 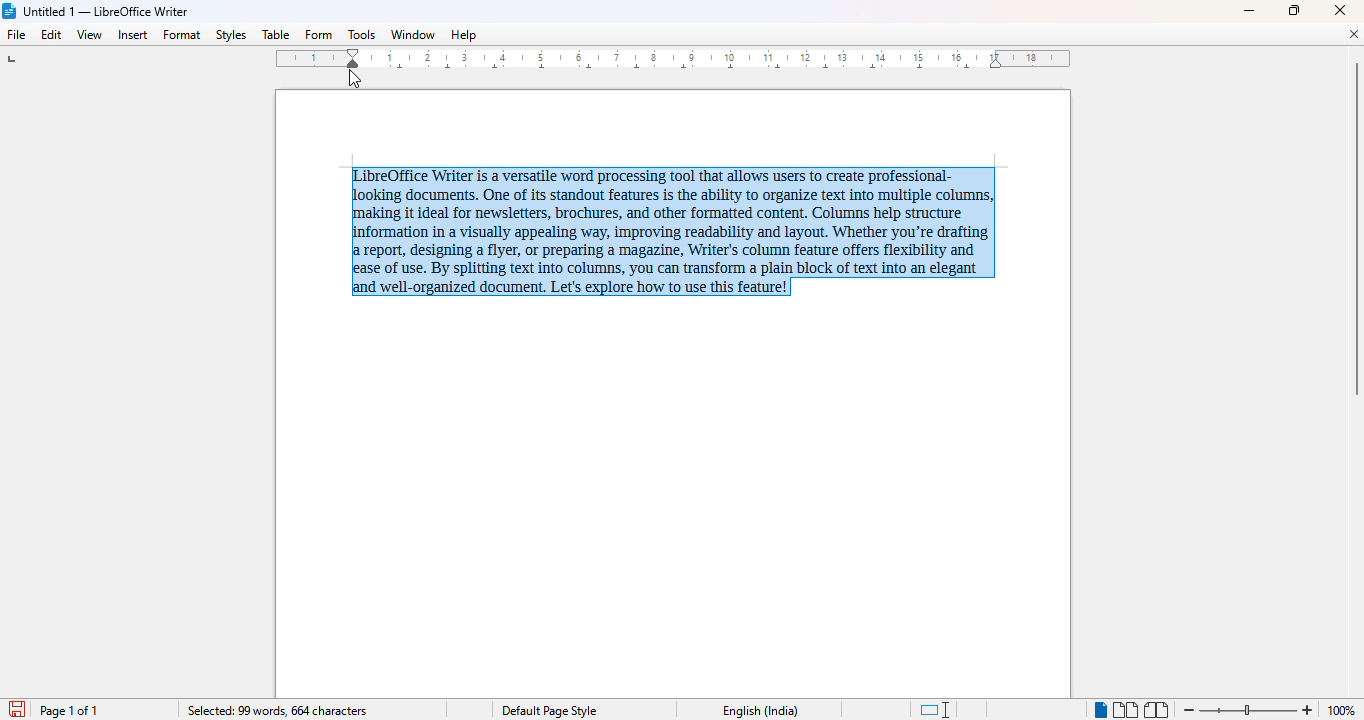 What do you see at coordinates (653, 228) in the screenshot?
I see `LibreOffice Writer is a versatile word processing tool that allows users to create professional-looking documents. One of its standout features is the ability to organize text into multiple columns, making it ideal for newsletters, brochures, and other formatted content. Columns help structure information in a visually appealing way, improving readability and layout. Whether you're drafting a report, designing a flyer, or preparing a magazine, Writer's column feature offers flexibility and ease of use. By splitting text into columns, you can transform a plain block of text into an elegant and well-organized document. Let's explore how to use this feature! (selected)` at bounding box center [653, 228].